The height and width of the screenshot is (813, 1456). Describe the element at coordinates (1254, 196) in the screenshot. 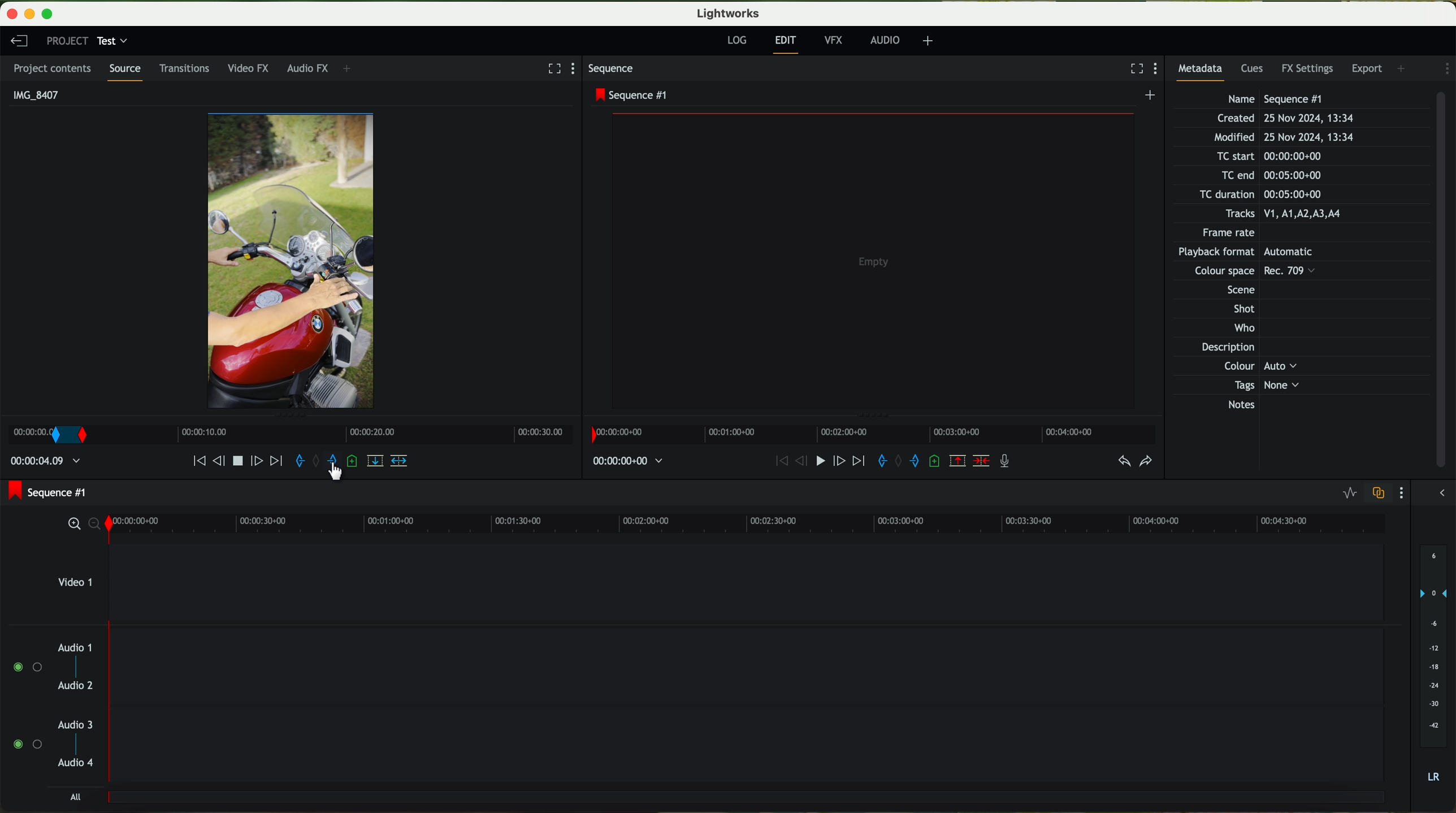

I see `TC duration` at that location.